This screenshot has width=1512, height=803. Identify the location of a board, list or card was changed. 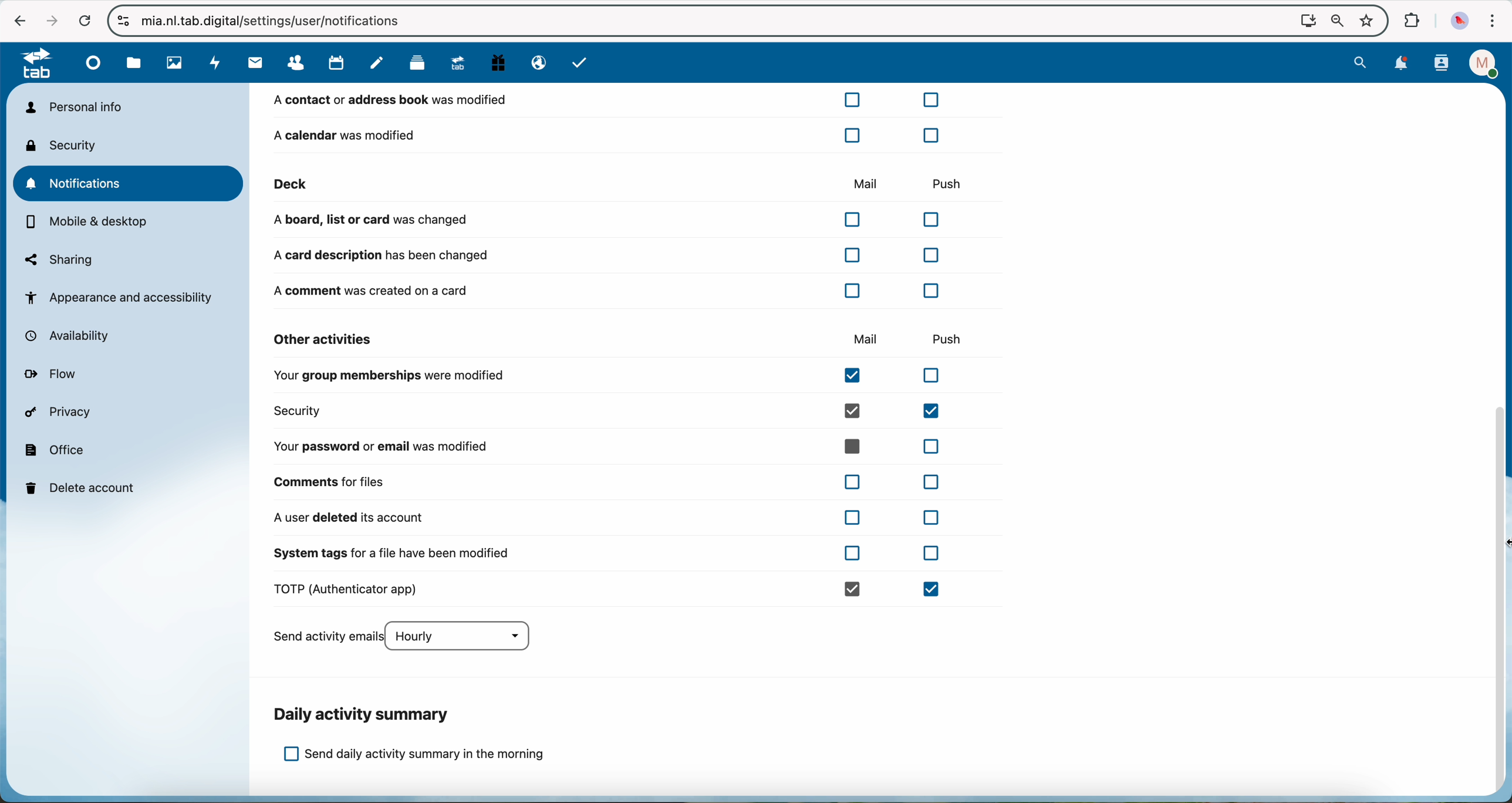
(612, 220).